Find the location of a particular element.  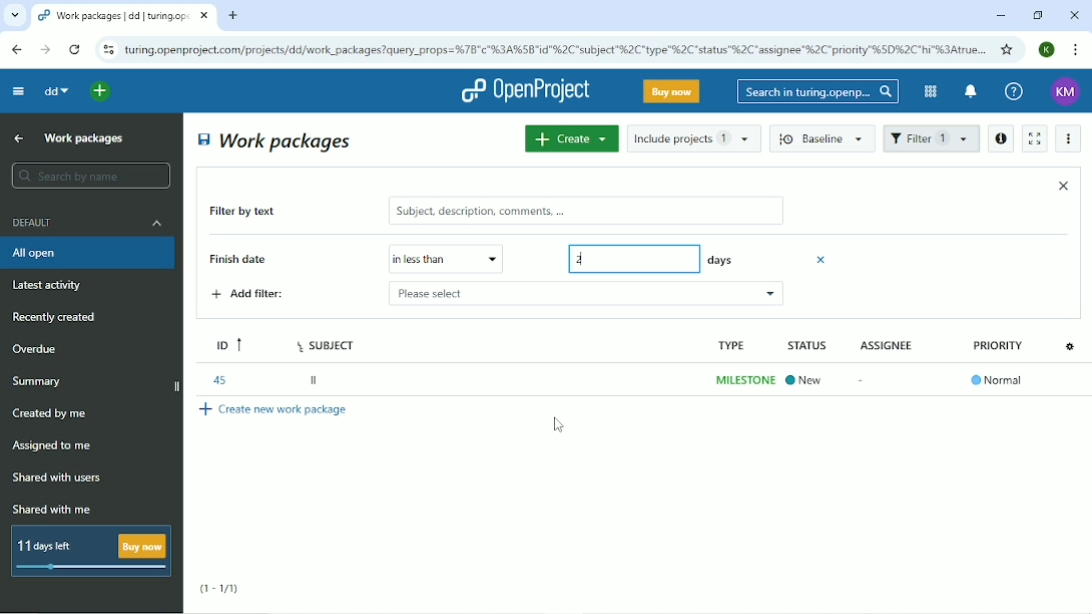

(1-1/1) is located at coordinates (220, 587).